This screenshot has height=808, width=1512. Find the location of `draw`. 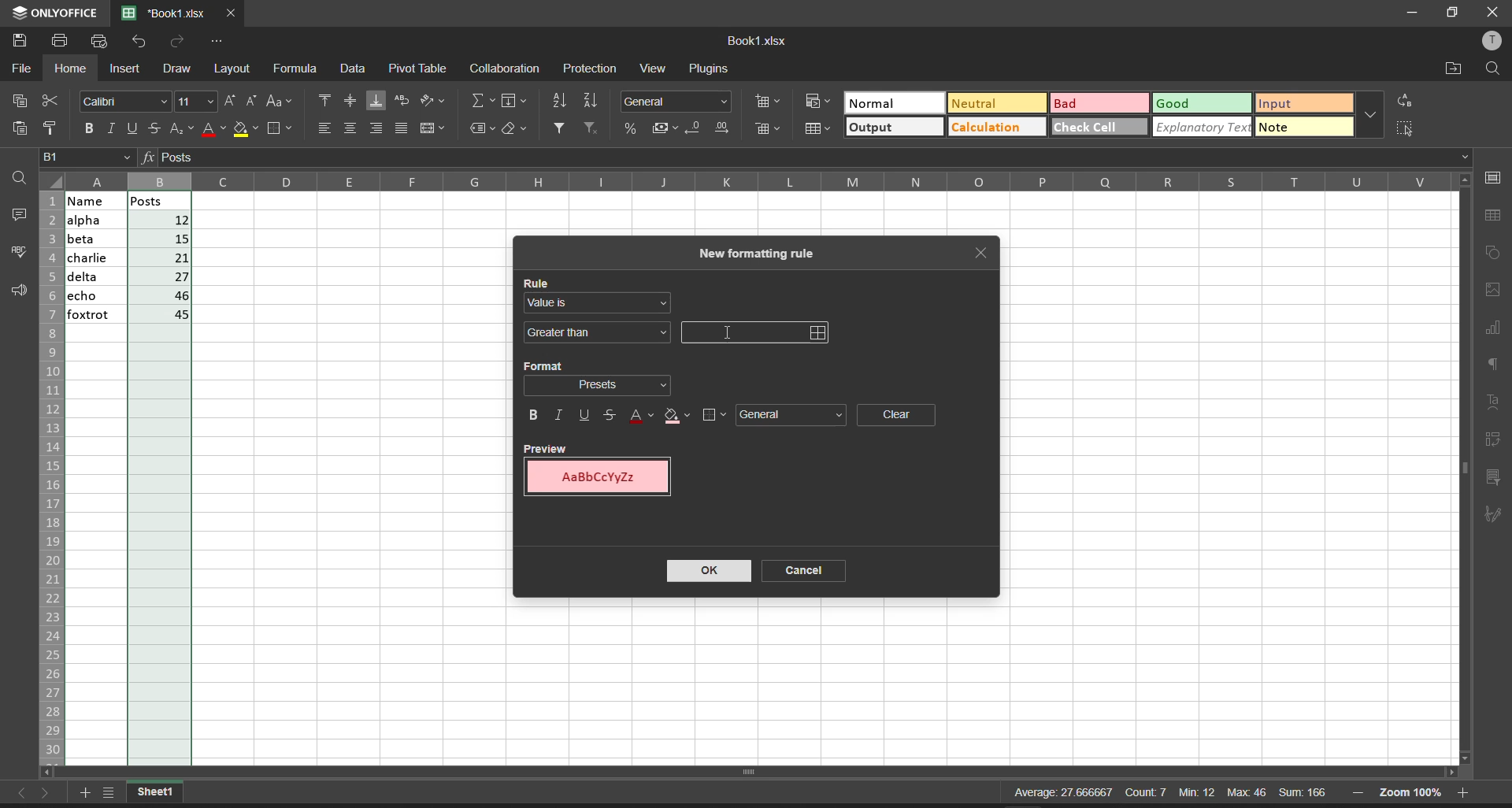

draw is located at coordinates (178, 68).